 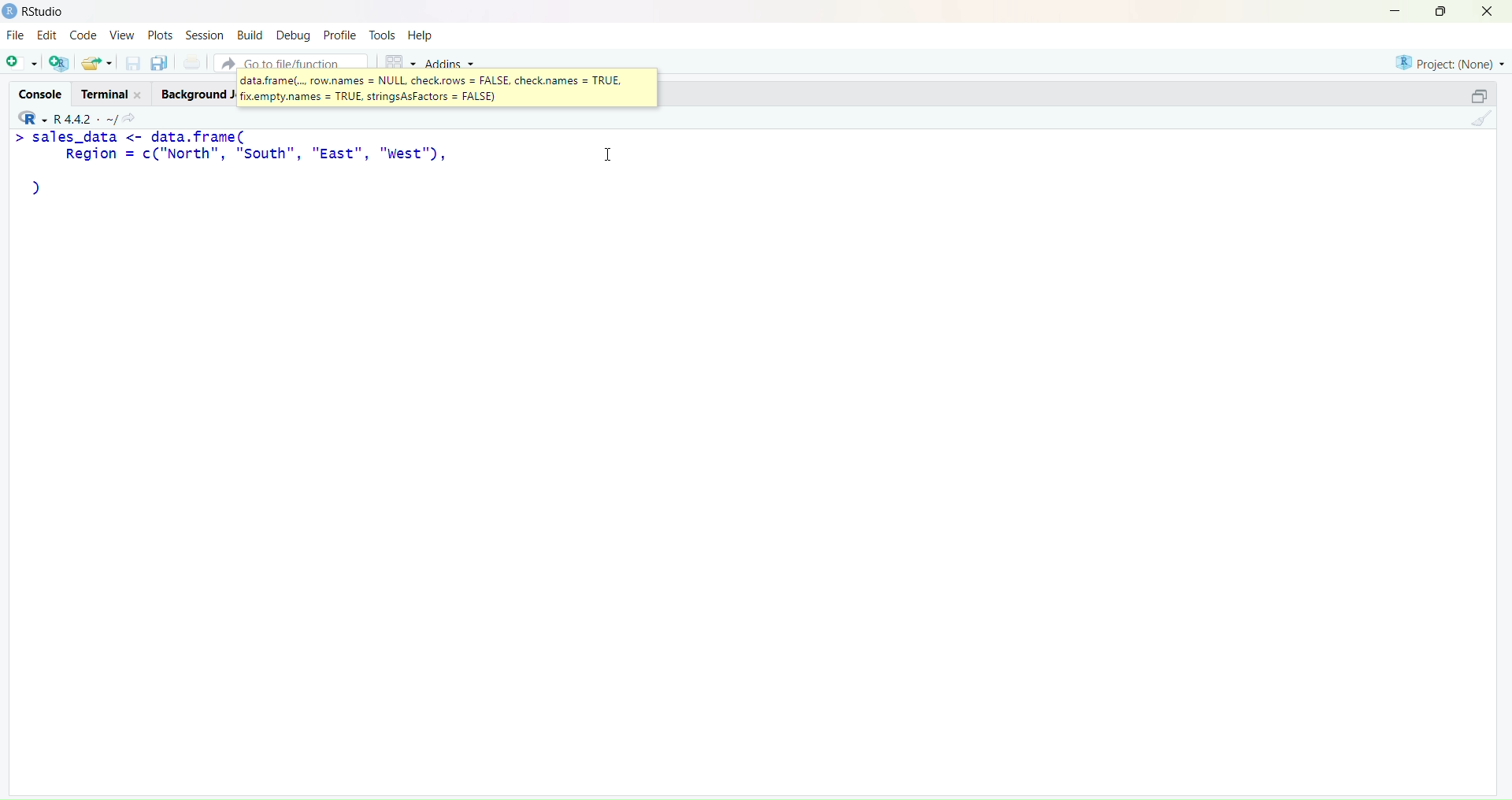 What do you see at coordinates (87, 116) in the screenshot?
I see `- R442 - ~/` at bounding box center [87, 116].